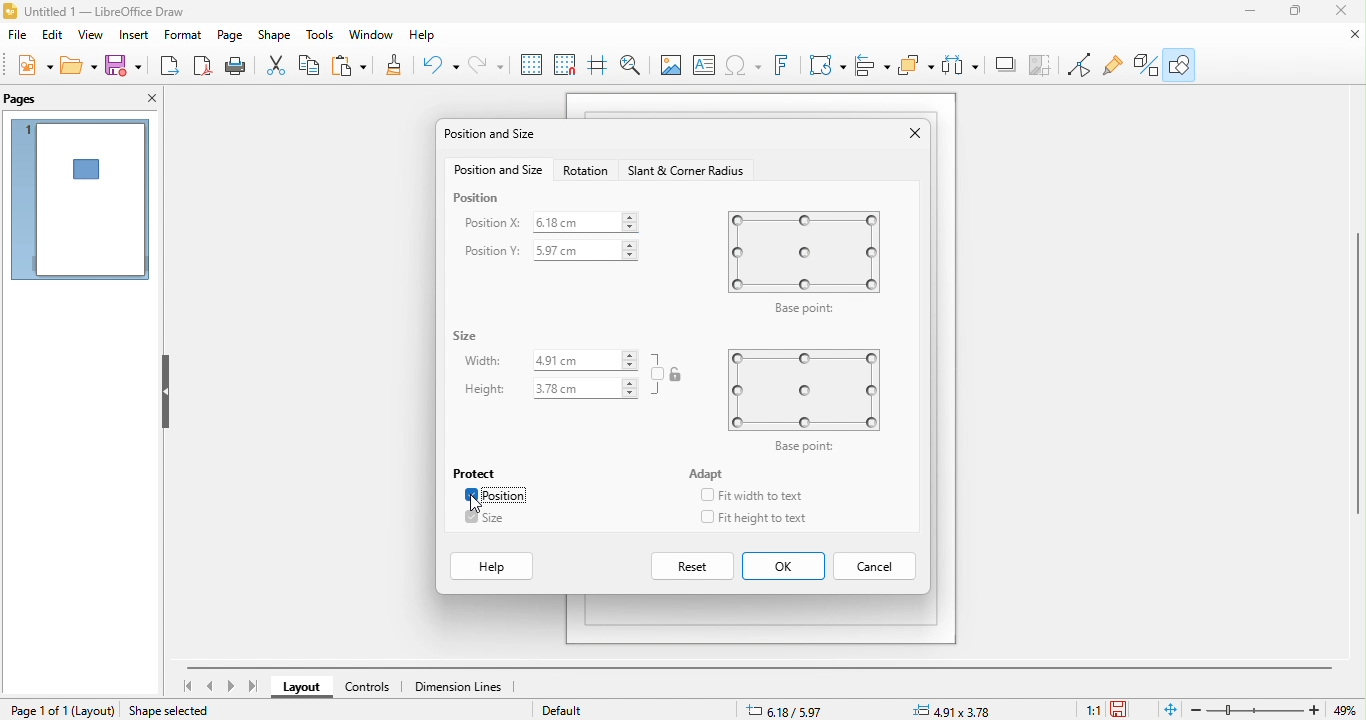  I want to click on position, so click(478, 197).